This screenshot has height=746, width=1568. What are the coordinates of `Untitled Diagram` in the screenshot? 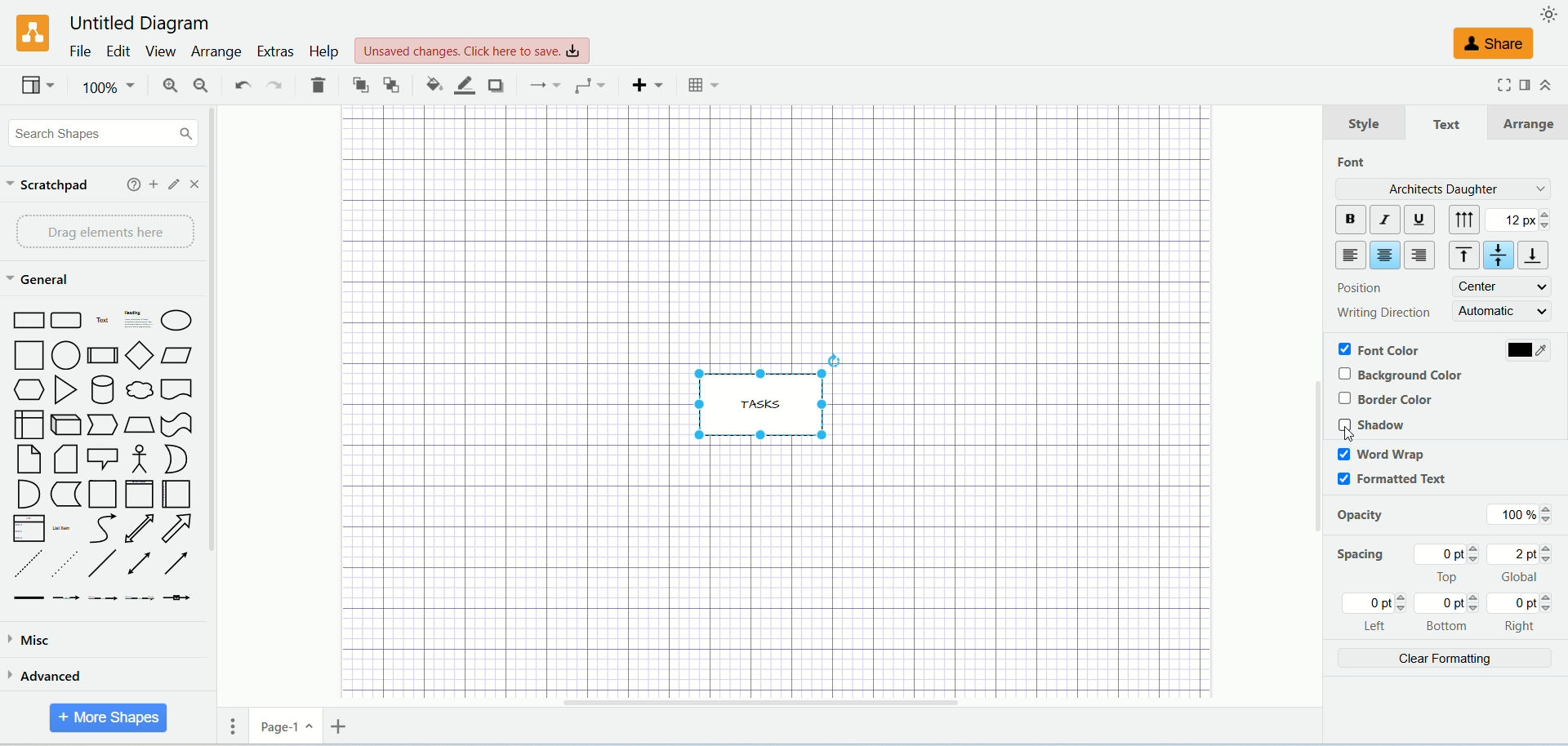 It's located at (134, 24).